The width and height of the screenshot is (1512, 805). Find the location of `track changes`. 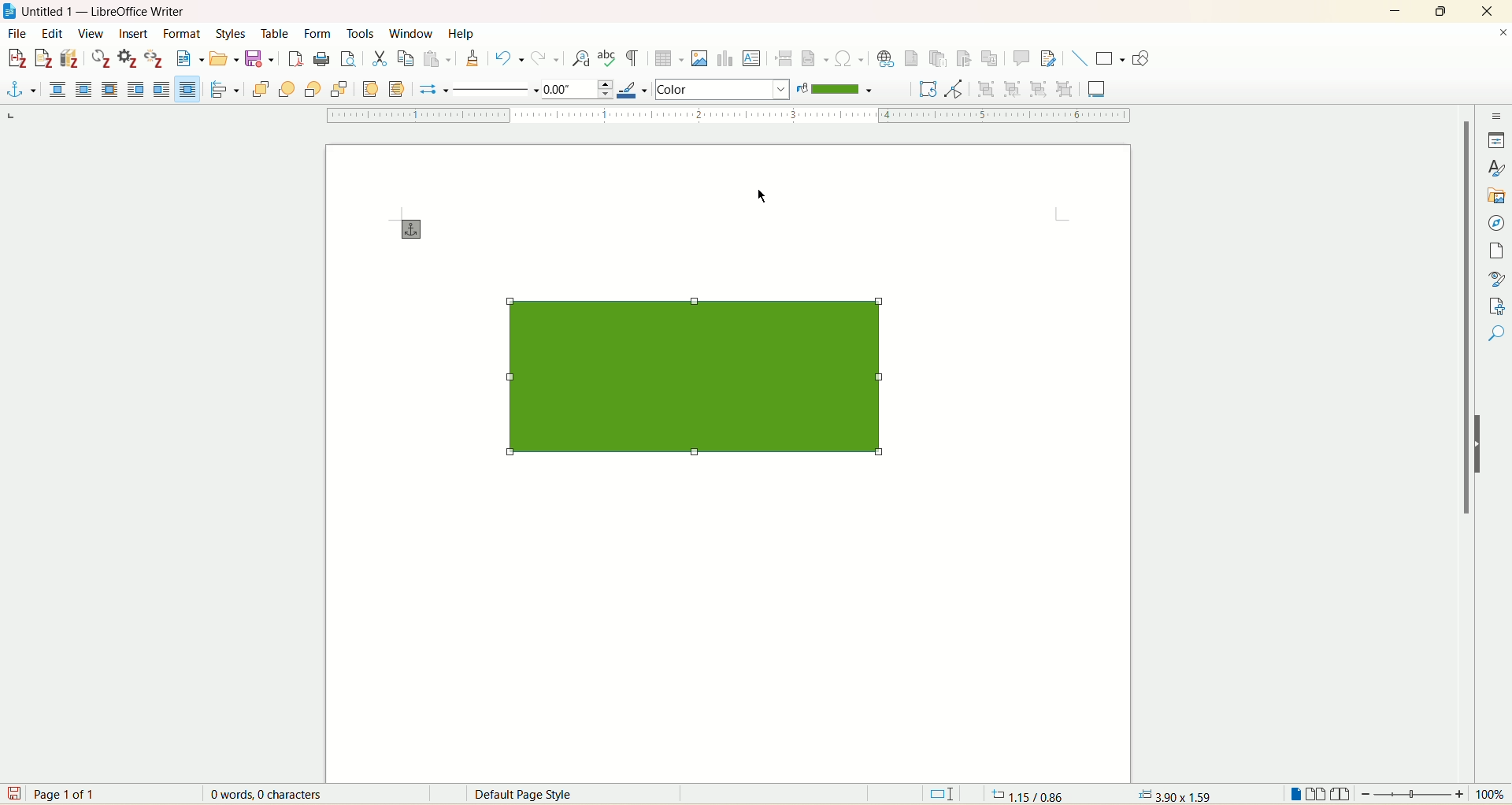

track changes is located at coordinates (1046, 58).